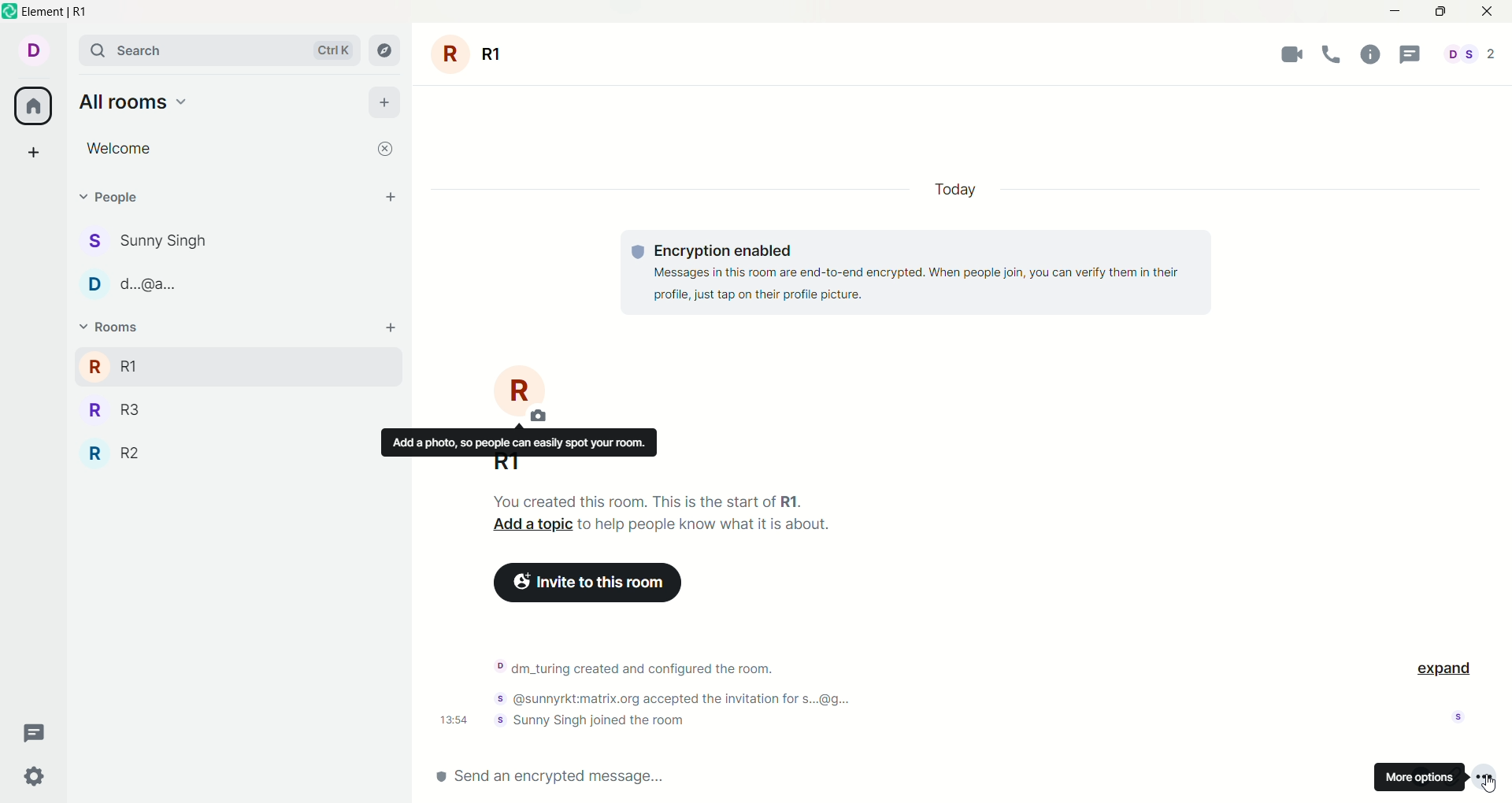  I want to click on Text logo, so click(638, 252).